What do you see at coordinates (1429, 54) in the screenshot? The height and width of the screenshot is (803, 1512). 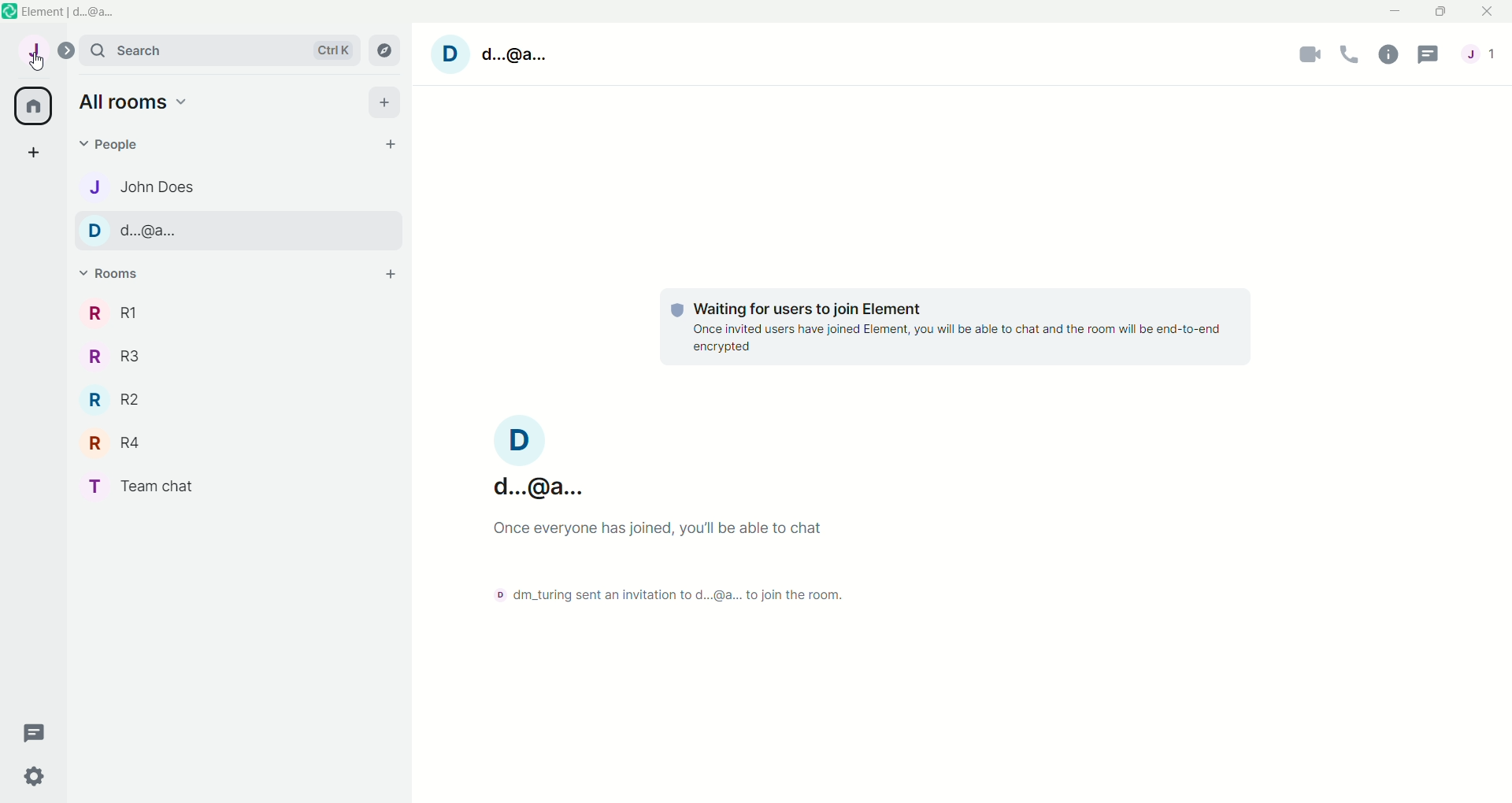 I see `thread` at bounding box center [1429, 54].